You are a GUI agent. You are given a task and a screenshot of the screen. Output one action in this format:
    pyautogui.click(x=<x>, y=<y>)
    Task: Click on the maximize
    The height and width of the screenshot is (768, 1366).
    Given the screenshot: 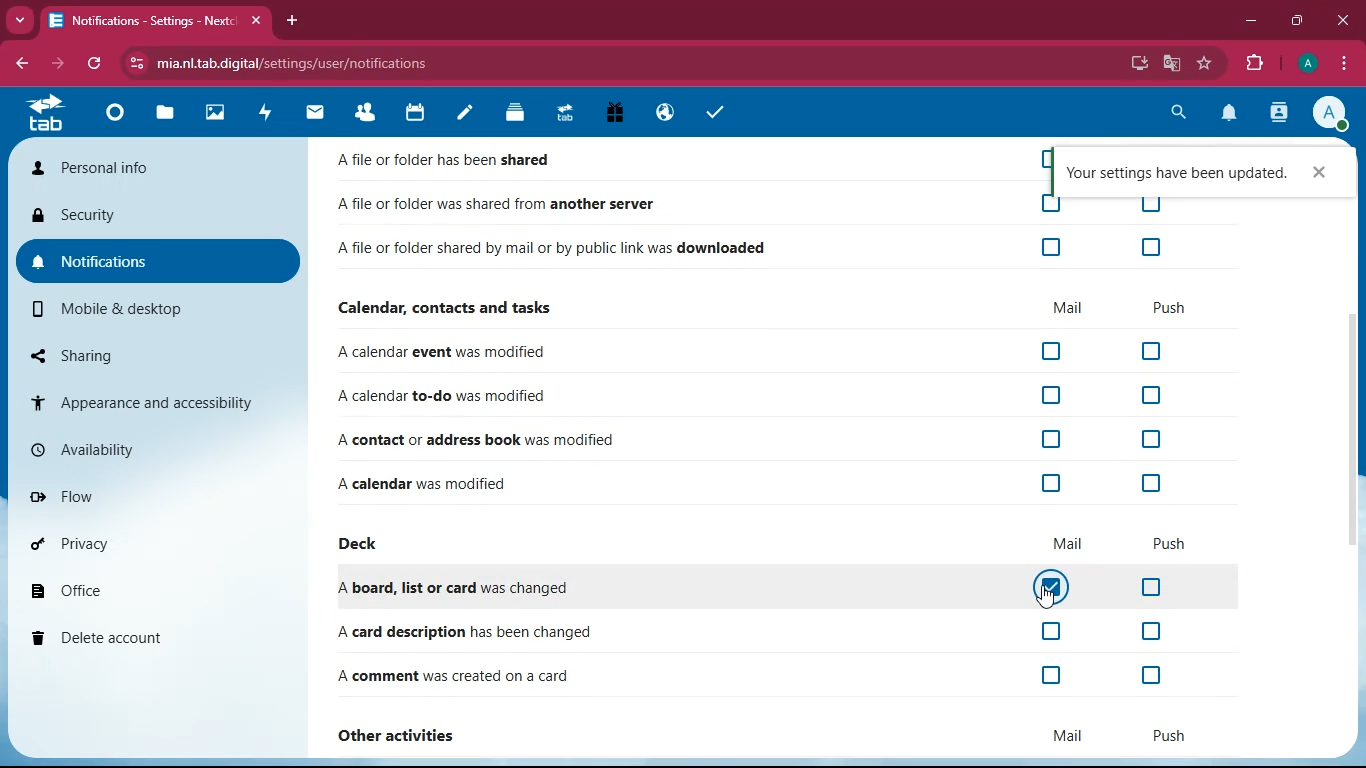 What is the action you would take?
    pyautogui.click(x=1297, y=21)
    